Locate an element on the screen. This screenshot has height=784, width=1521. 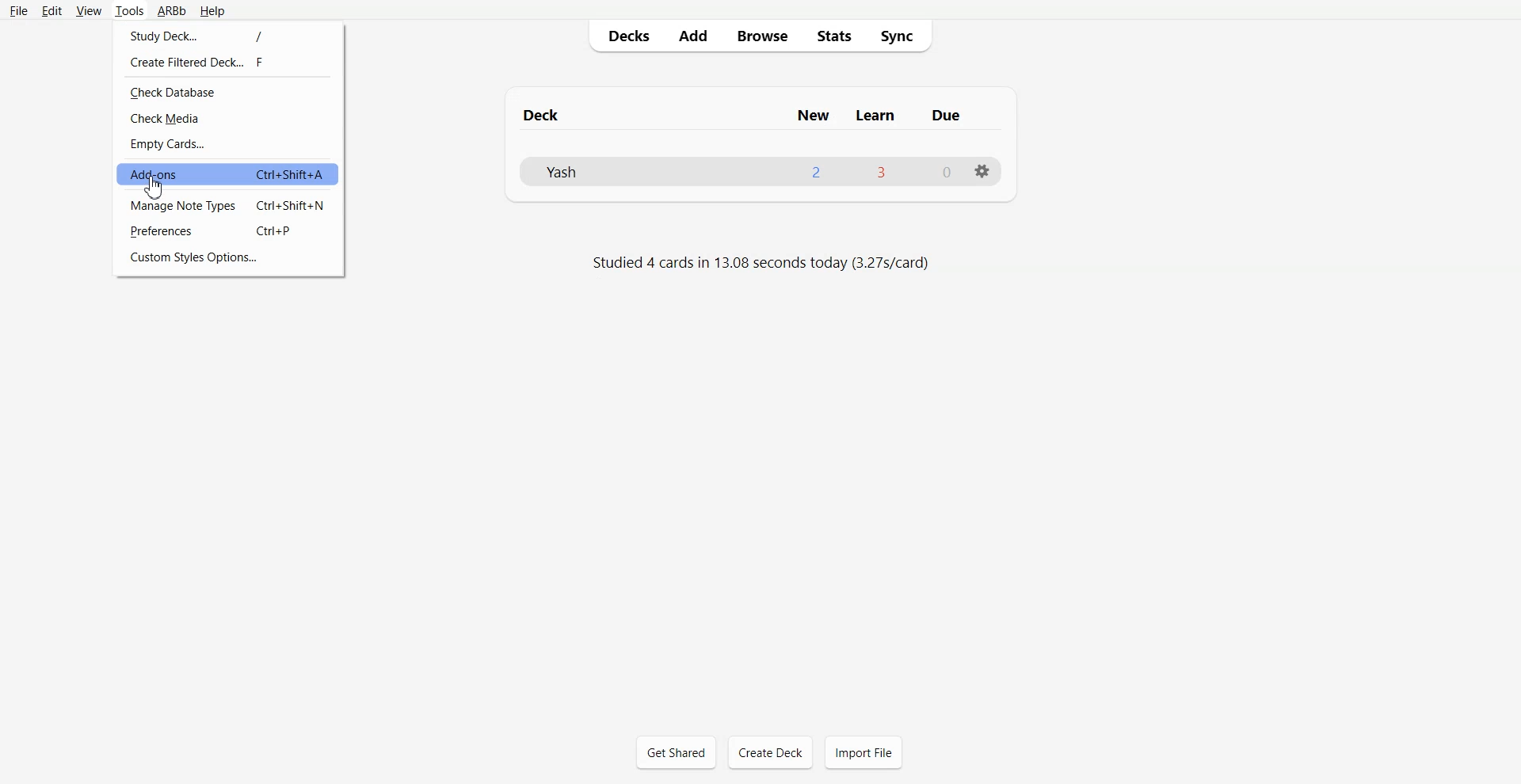
Edit is located at coordinates (52, 10).